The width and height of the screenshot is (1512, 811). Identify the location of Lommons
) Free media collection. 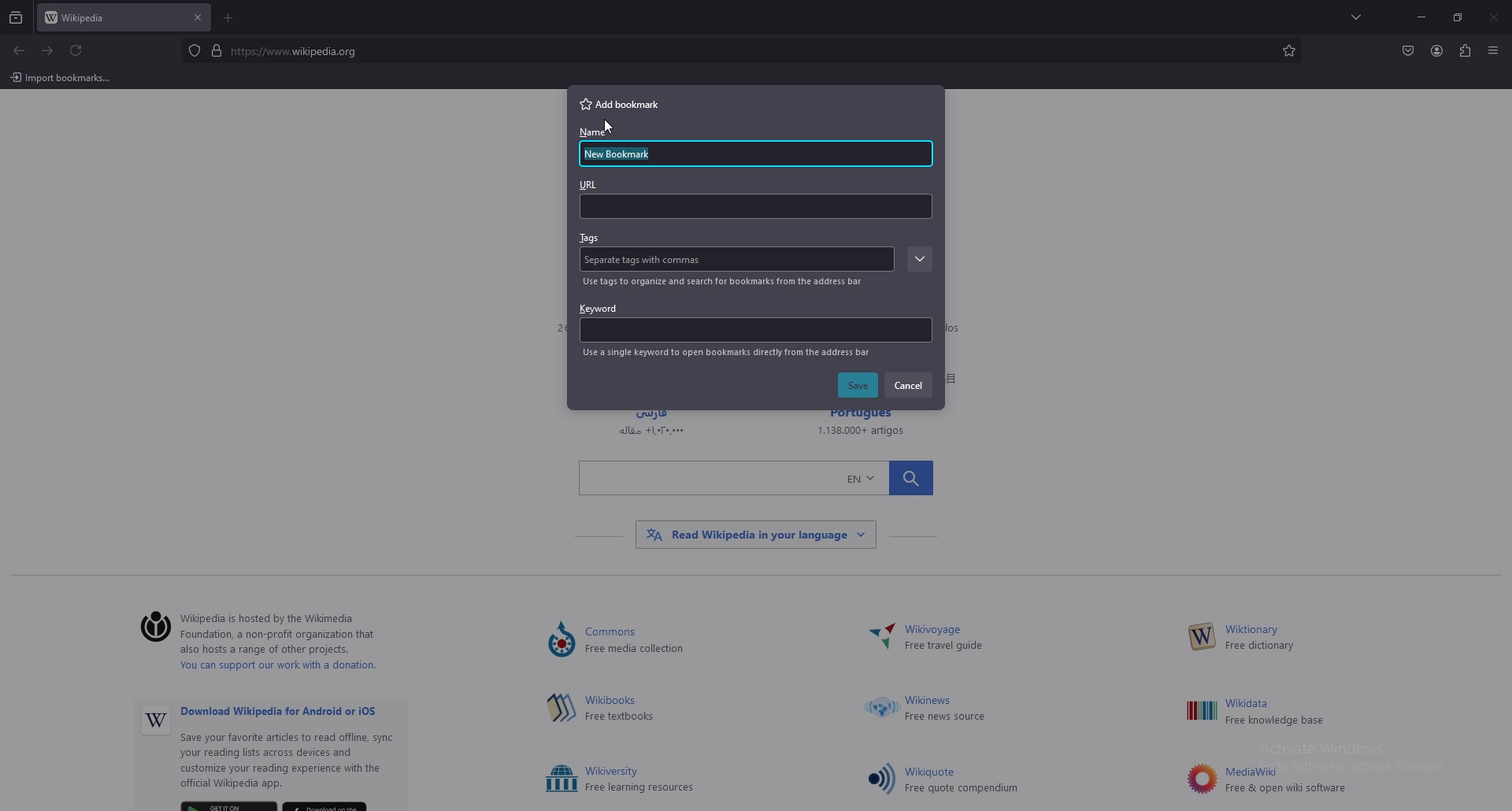
(654, 641).